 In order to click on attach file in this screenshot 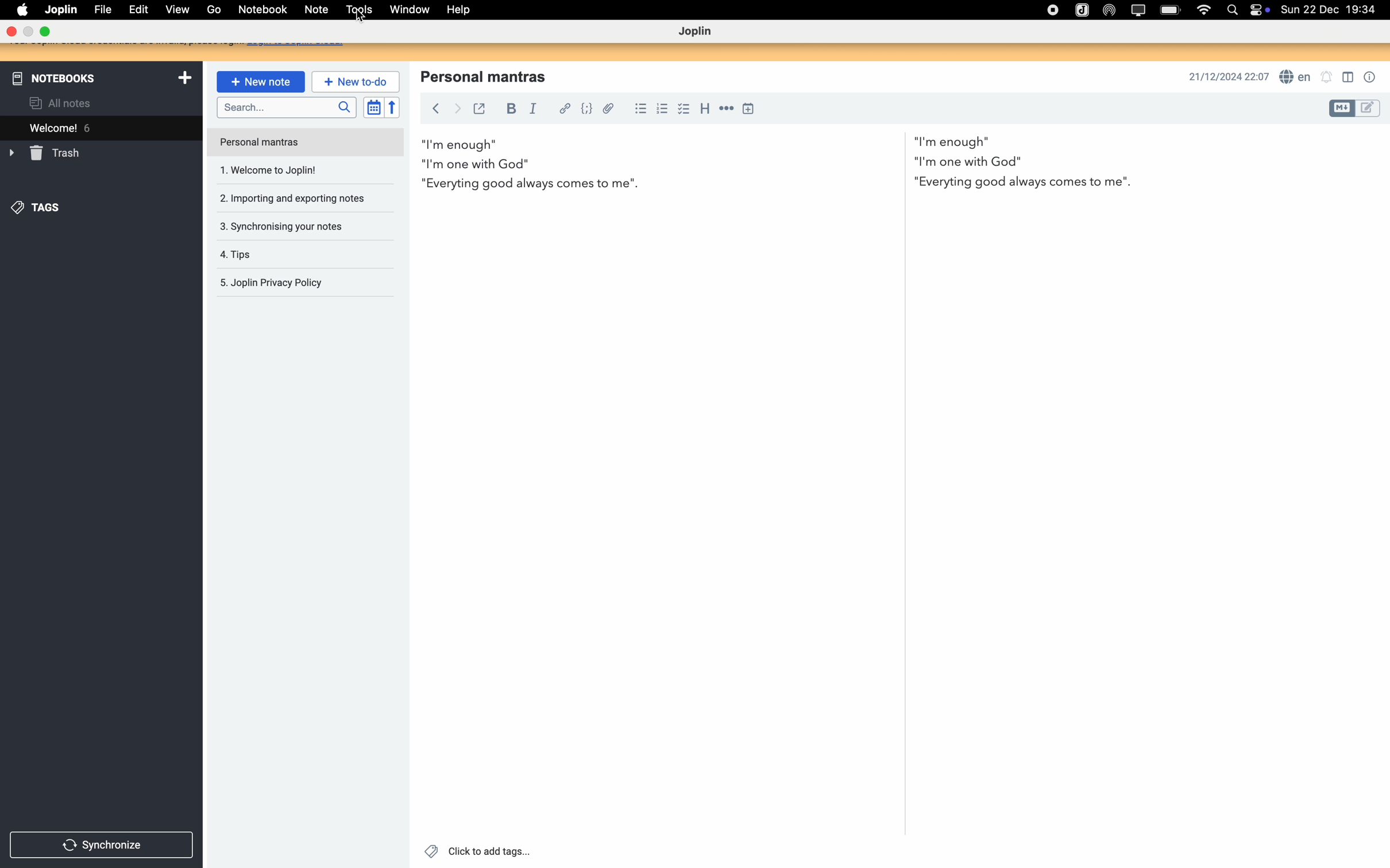, I will do `click(607, 107)`.